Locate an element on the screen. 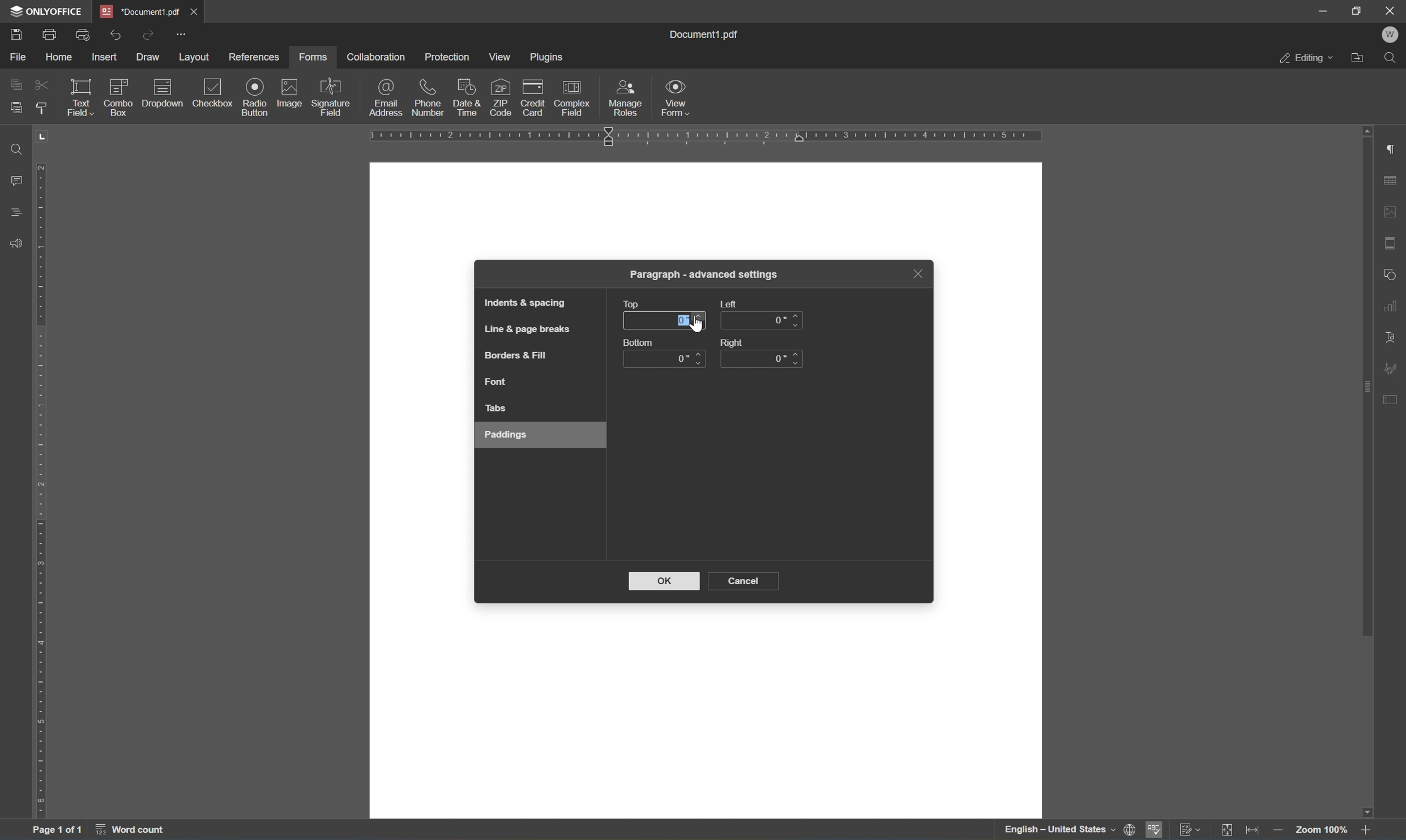 The height and width of the screenshot is (840, 1406). view form is located at coordinates (682, 99).